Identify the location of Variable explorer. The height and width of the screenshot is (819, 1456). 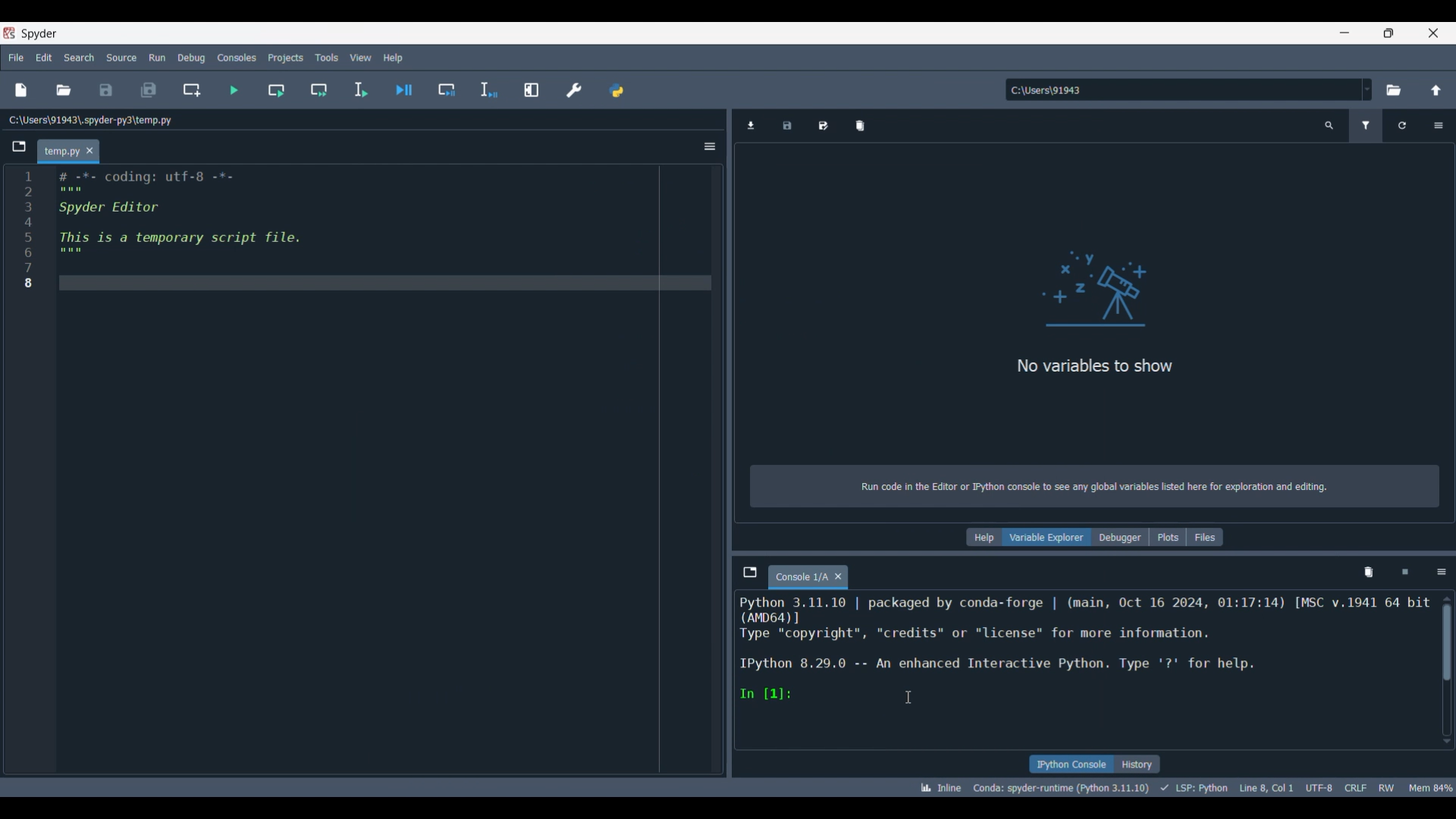
(1046, 537).